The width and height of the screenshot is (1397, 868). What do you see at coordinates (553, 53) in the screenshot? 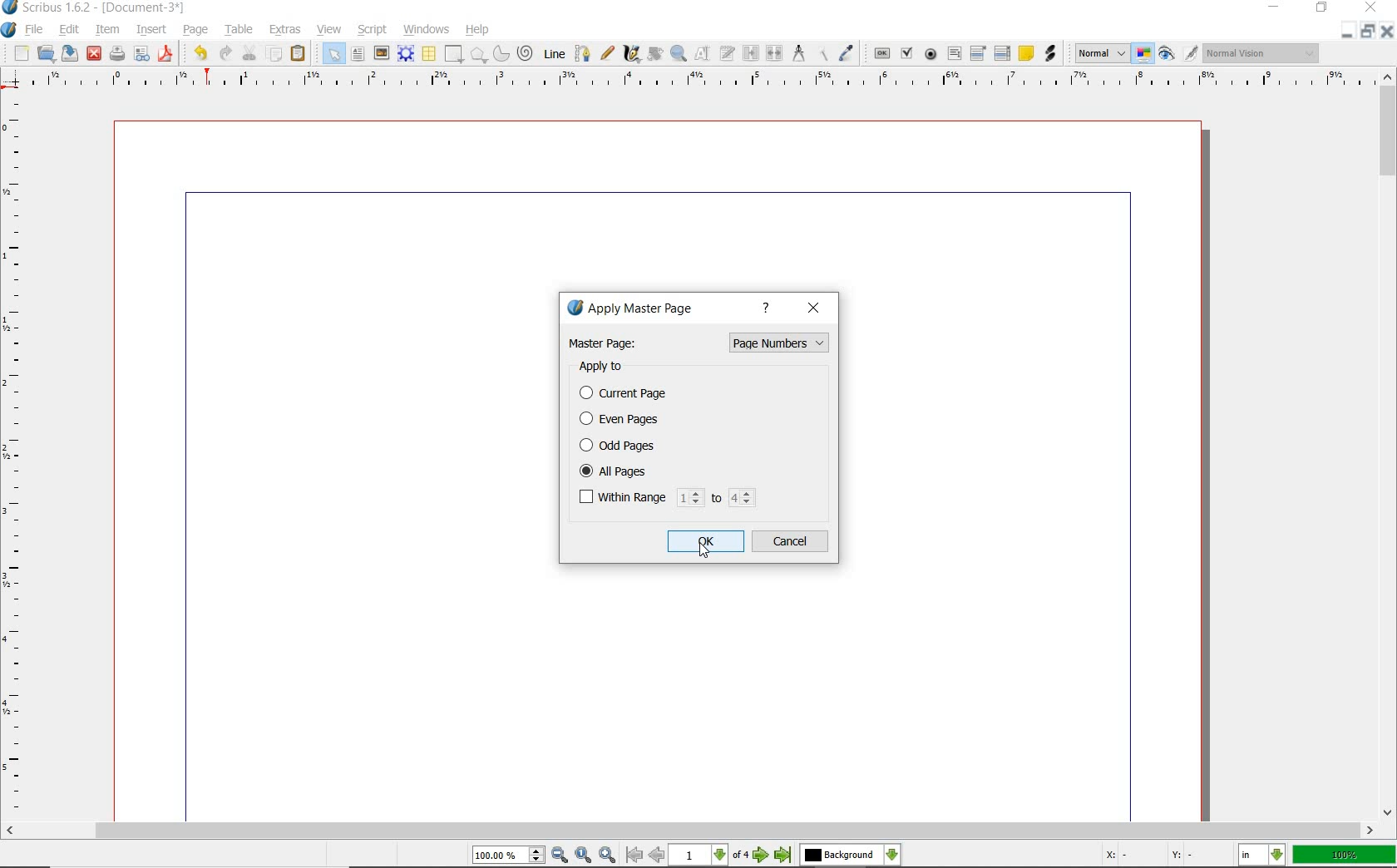
I see `line` at bounding box center [553, 53].